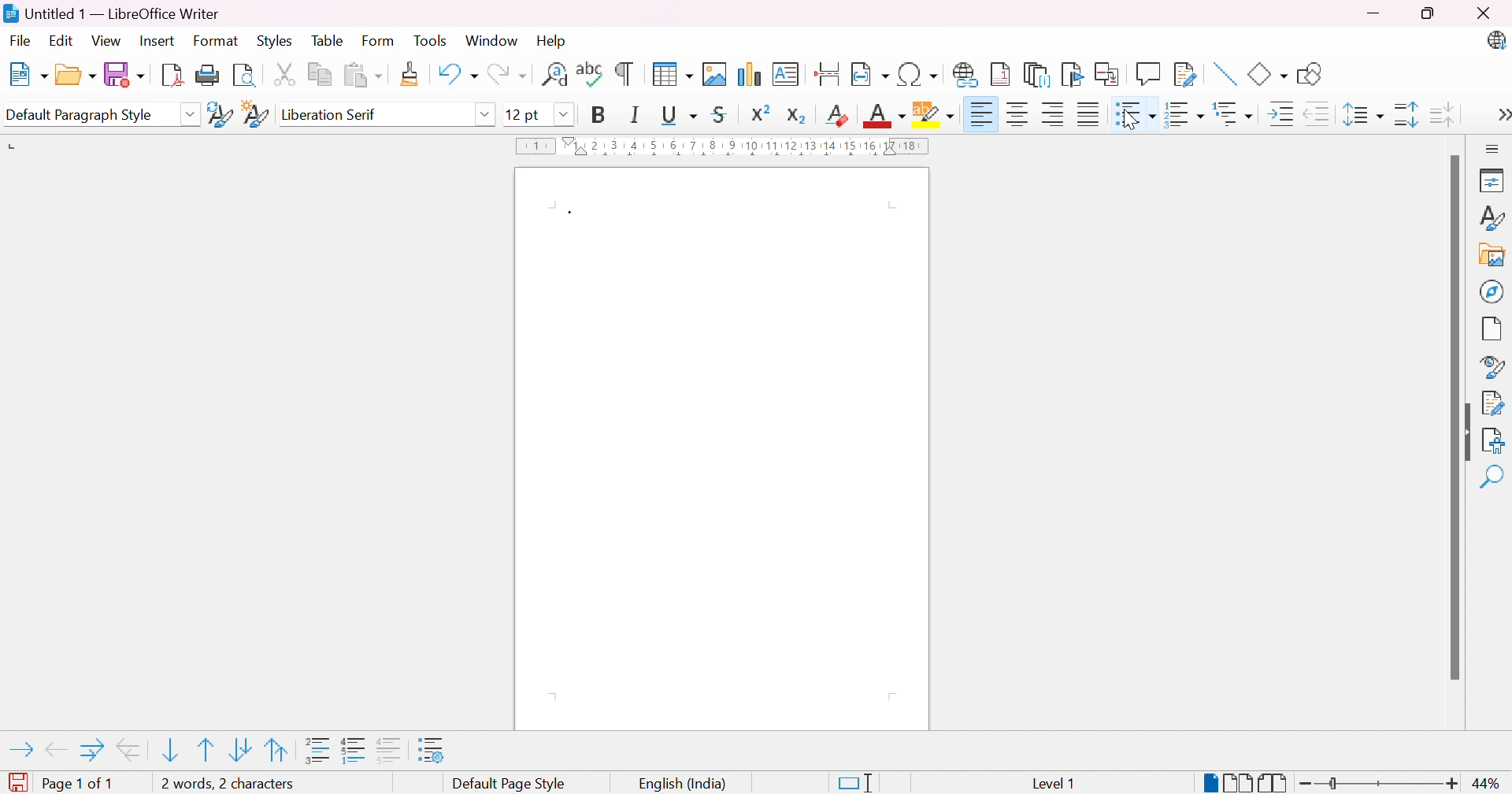 This screenshot has width=1512, height=794. Describe the element at coordinates (106, 43) in the screenshot. I see `View` at that location.